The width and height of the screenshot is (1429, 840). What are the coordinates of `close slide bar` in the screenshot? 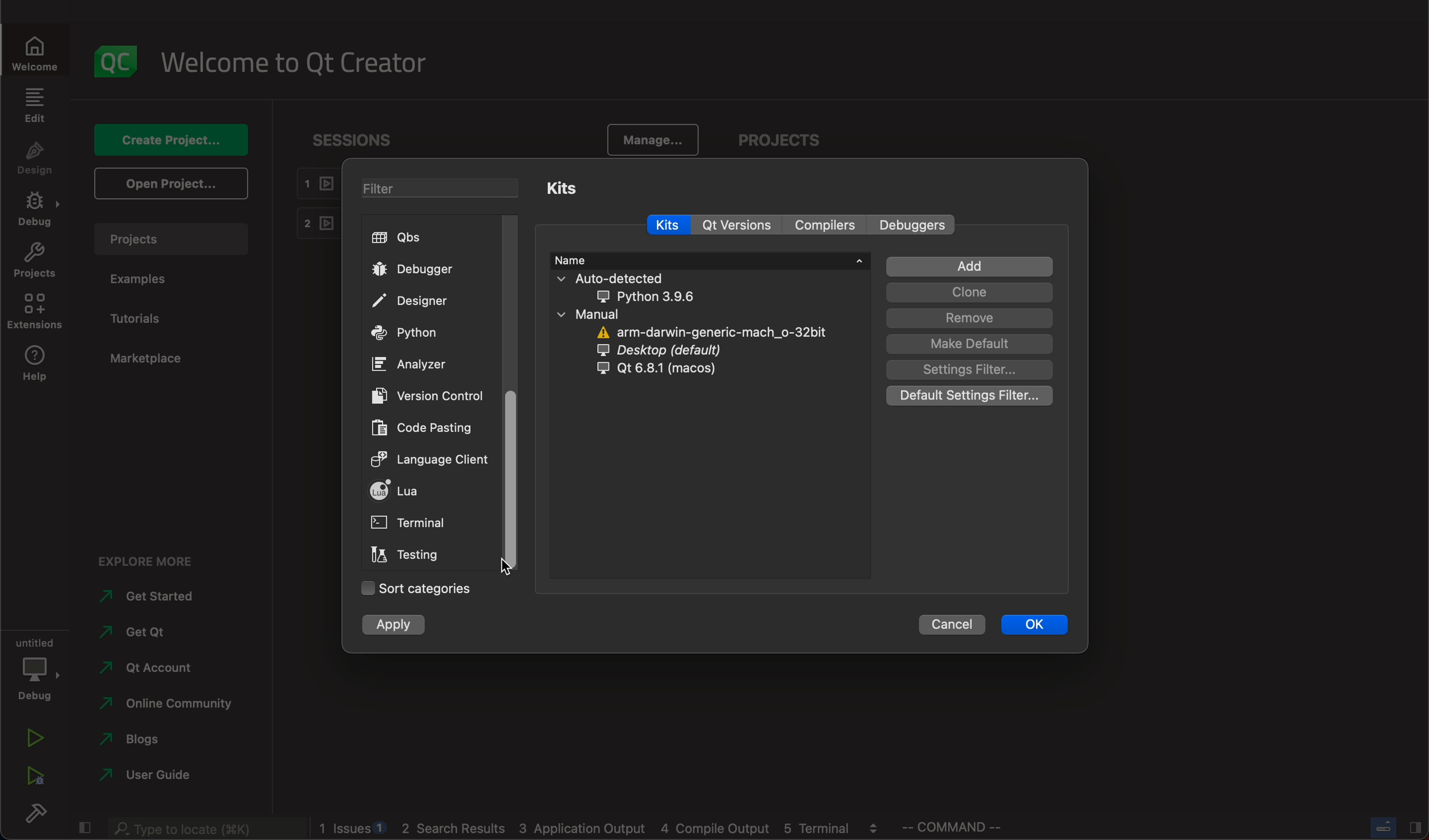 It's located at (1390, 826).